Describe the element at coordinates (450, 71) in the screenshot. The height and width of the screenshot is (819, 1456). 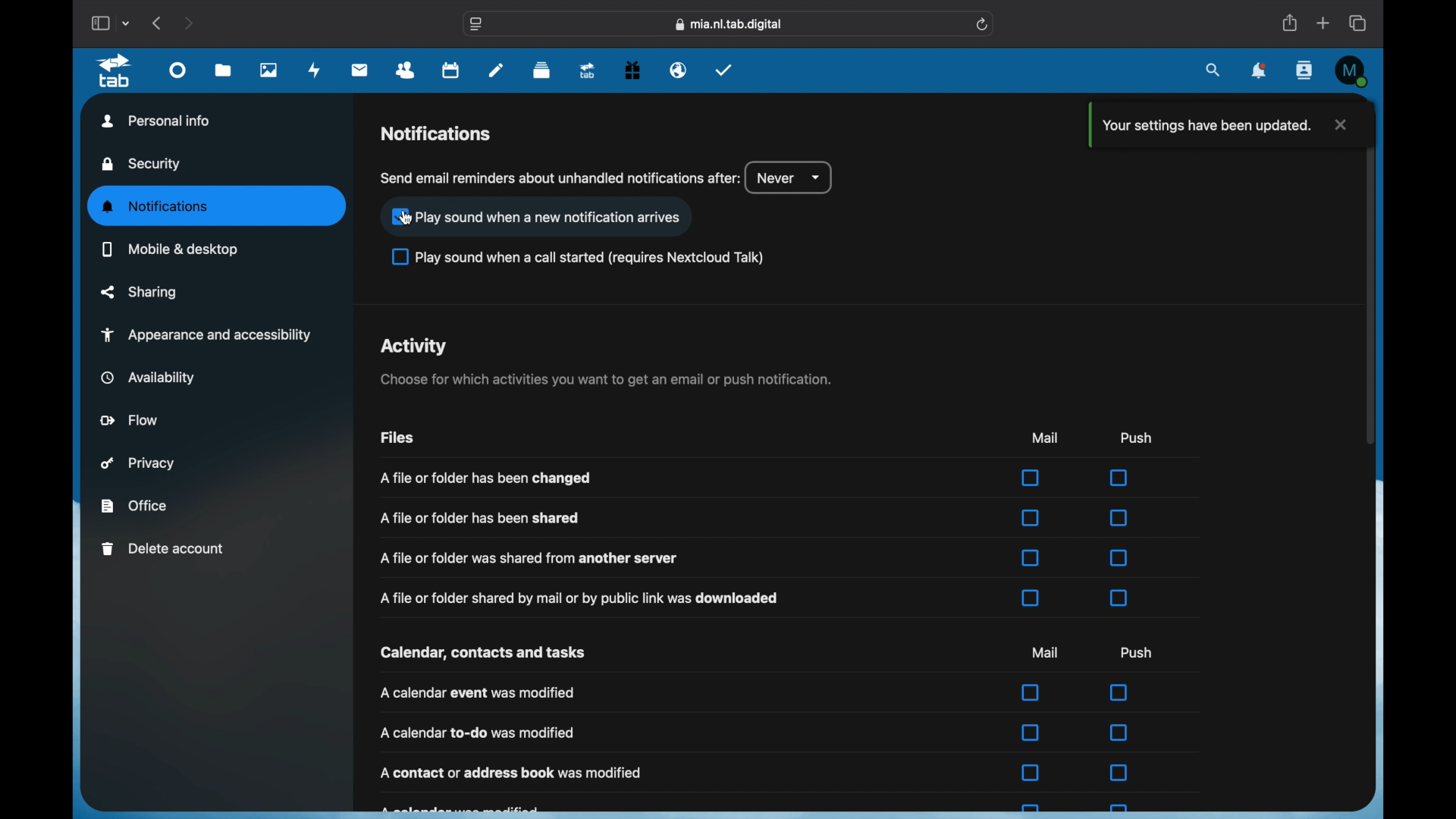
I see `calendar` at that location.